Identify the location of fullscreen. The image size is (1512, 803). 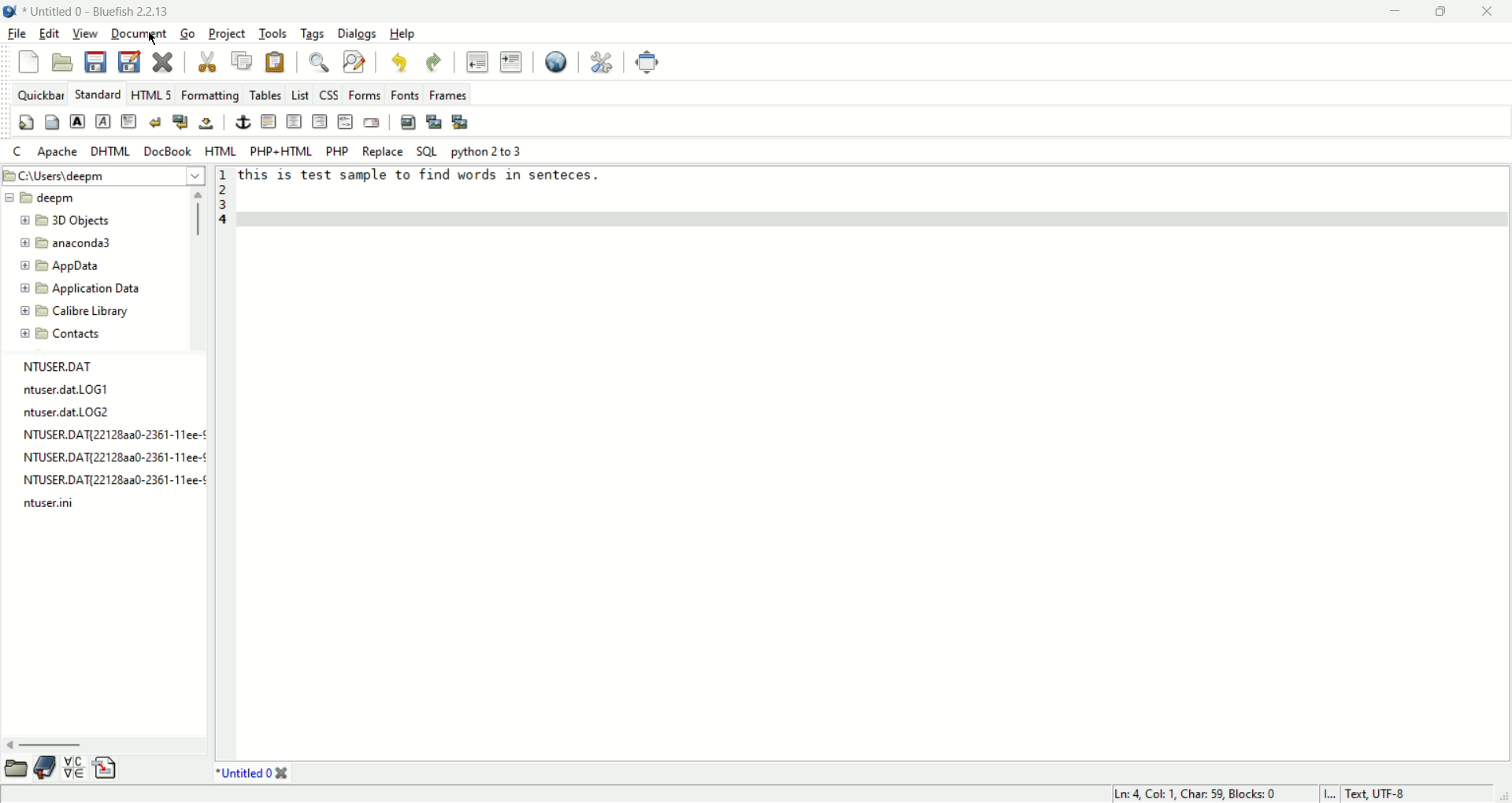
(648, 62).